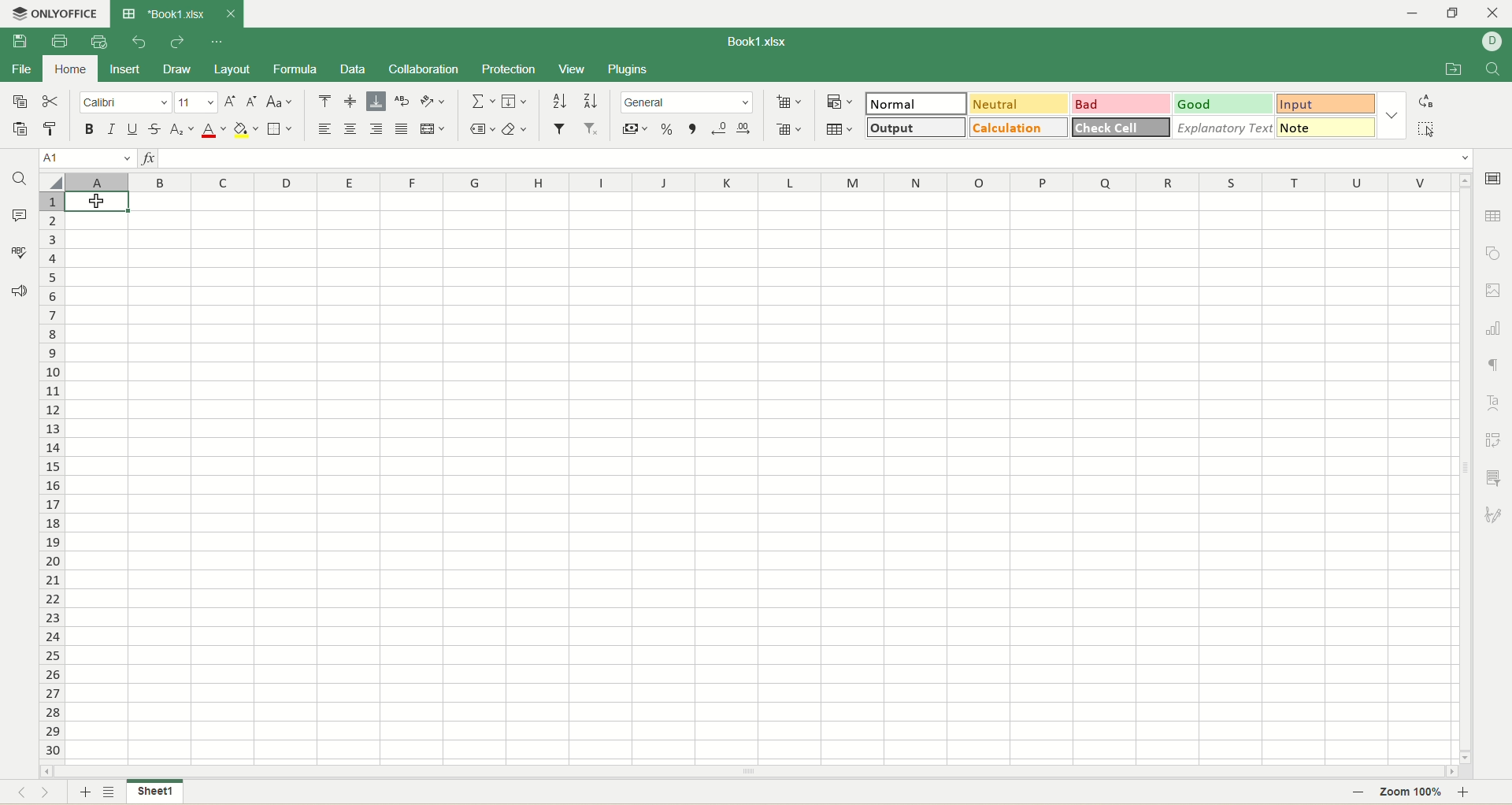 The height and width of the screenshot is (805, 1512). Describe the element at coordinates (559, 101) in the screenshot. I see `sort ascending` at that location.